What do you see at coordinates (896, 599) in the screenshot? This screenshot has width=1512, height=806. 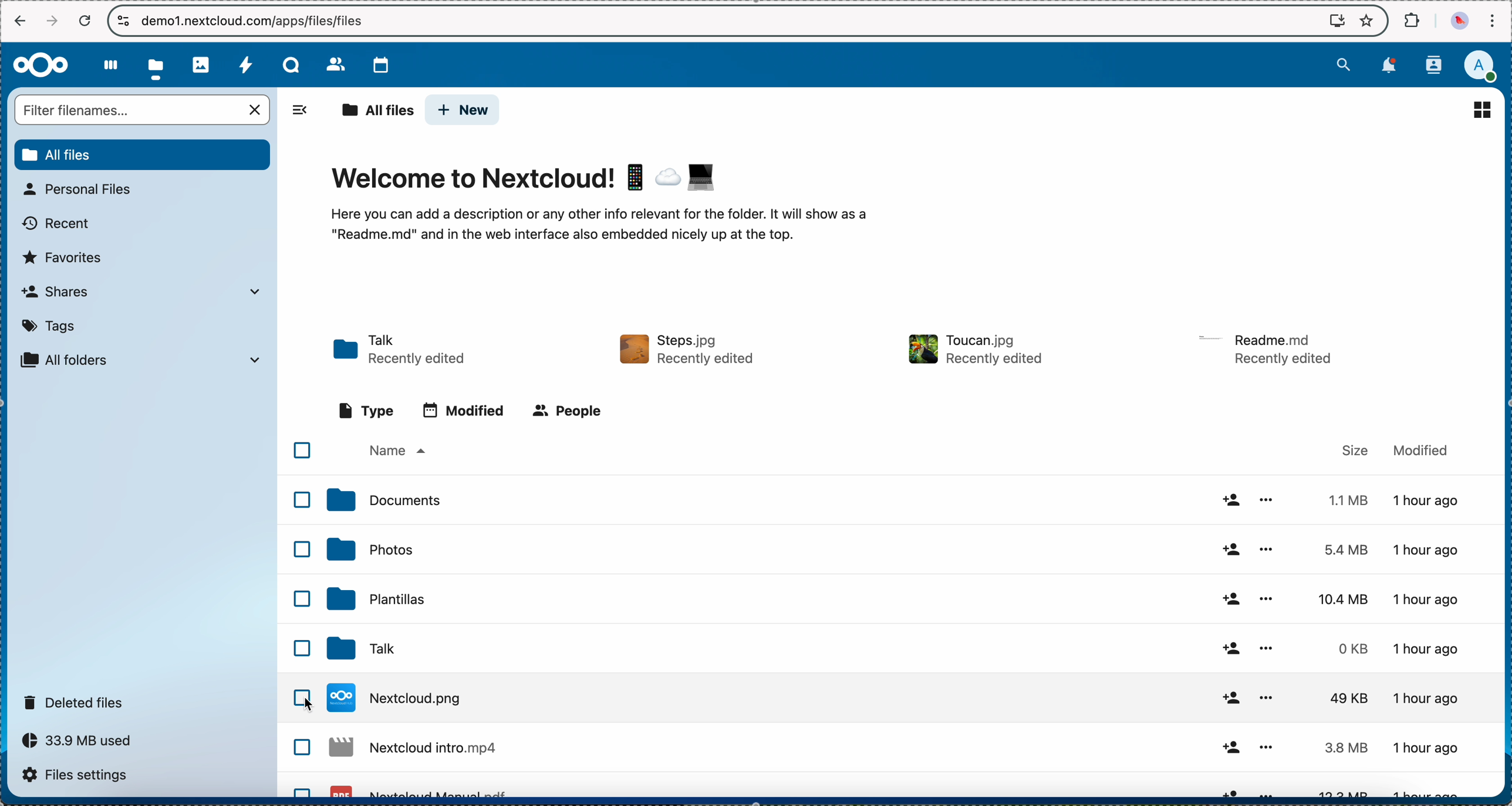 I see `templates` at bounding box center [896, 599].